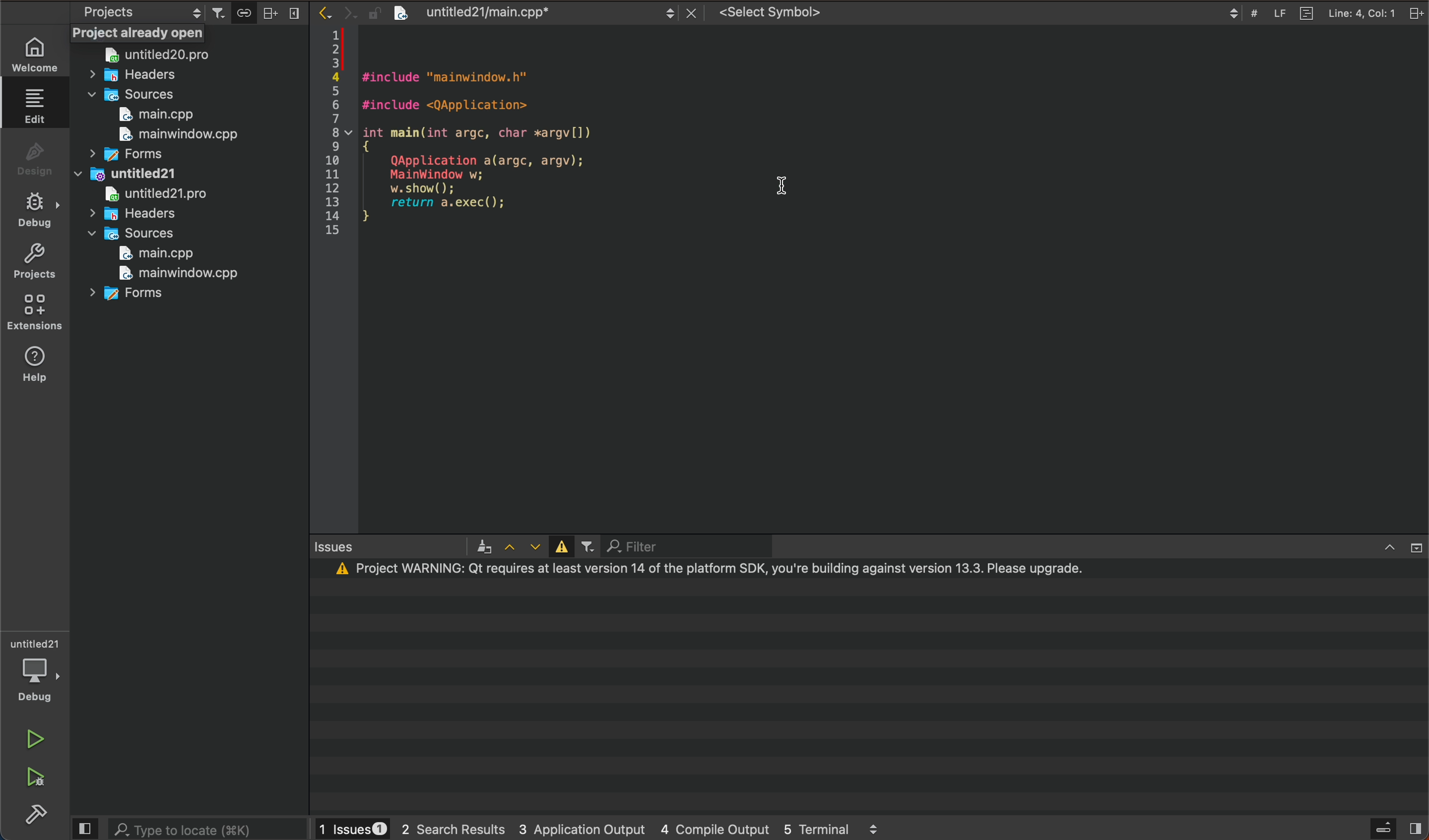 Image resolution: width=1429 pixels, height=840 pixels. I want to click on Line 4, Col: 1, so click(1365, 12).